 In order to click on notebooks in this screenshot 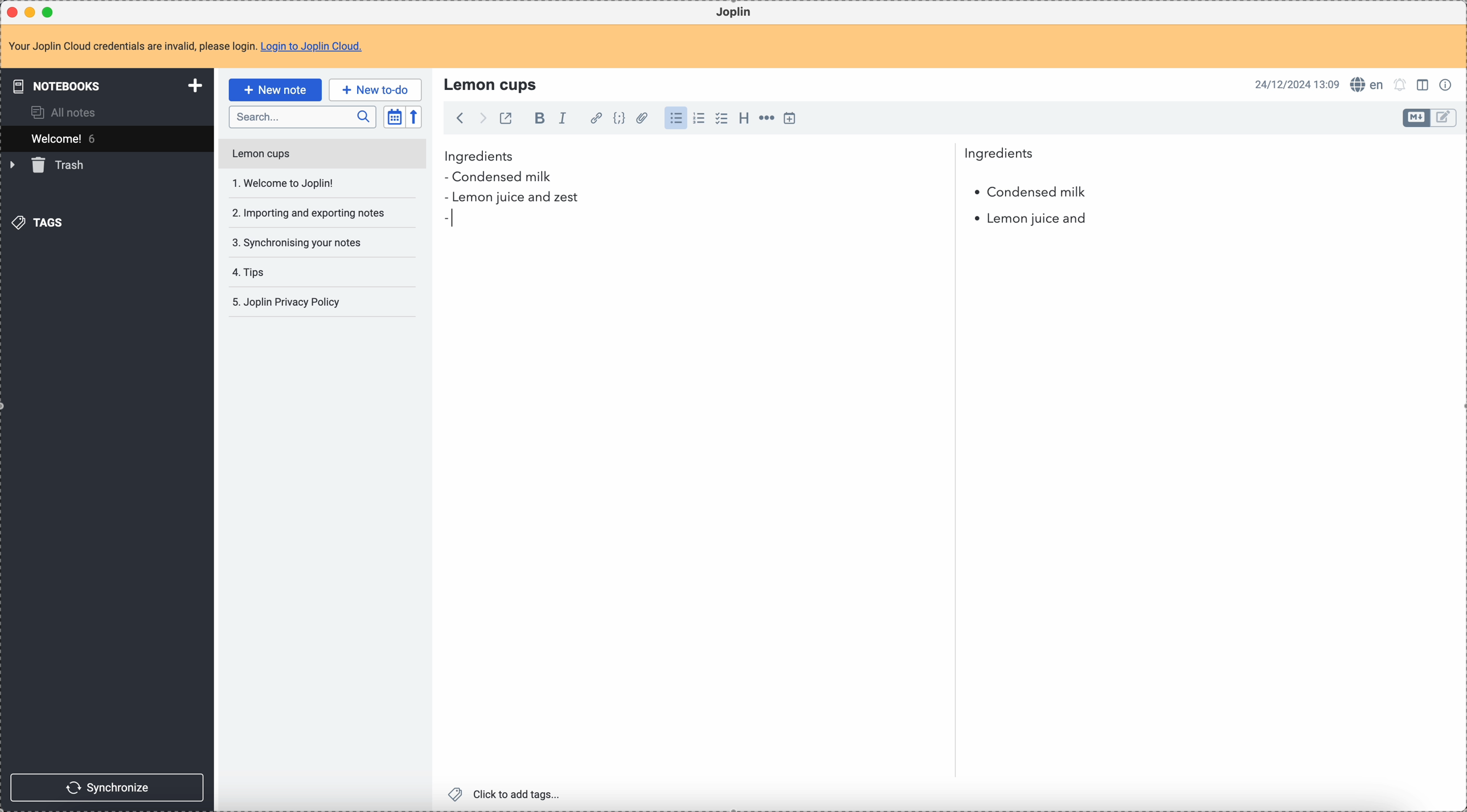, I will do `click(109, 85)`.